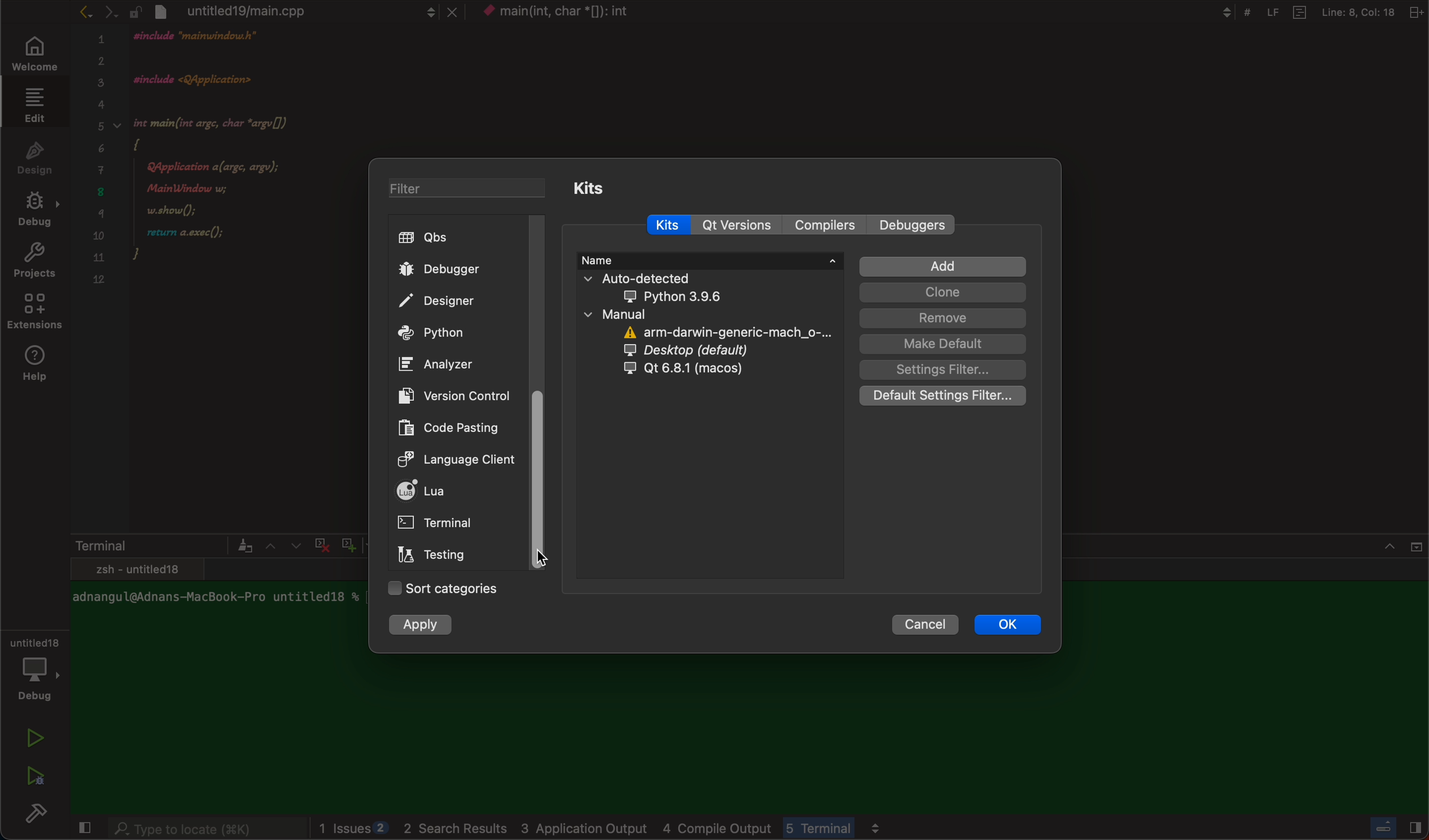 This screenshot has width=1429, height=840. I want to click on add, so click(942, 267).